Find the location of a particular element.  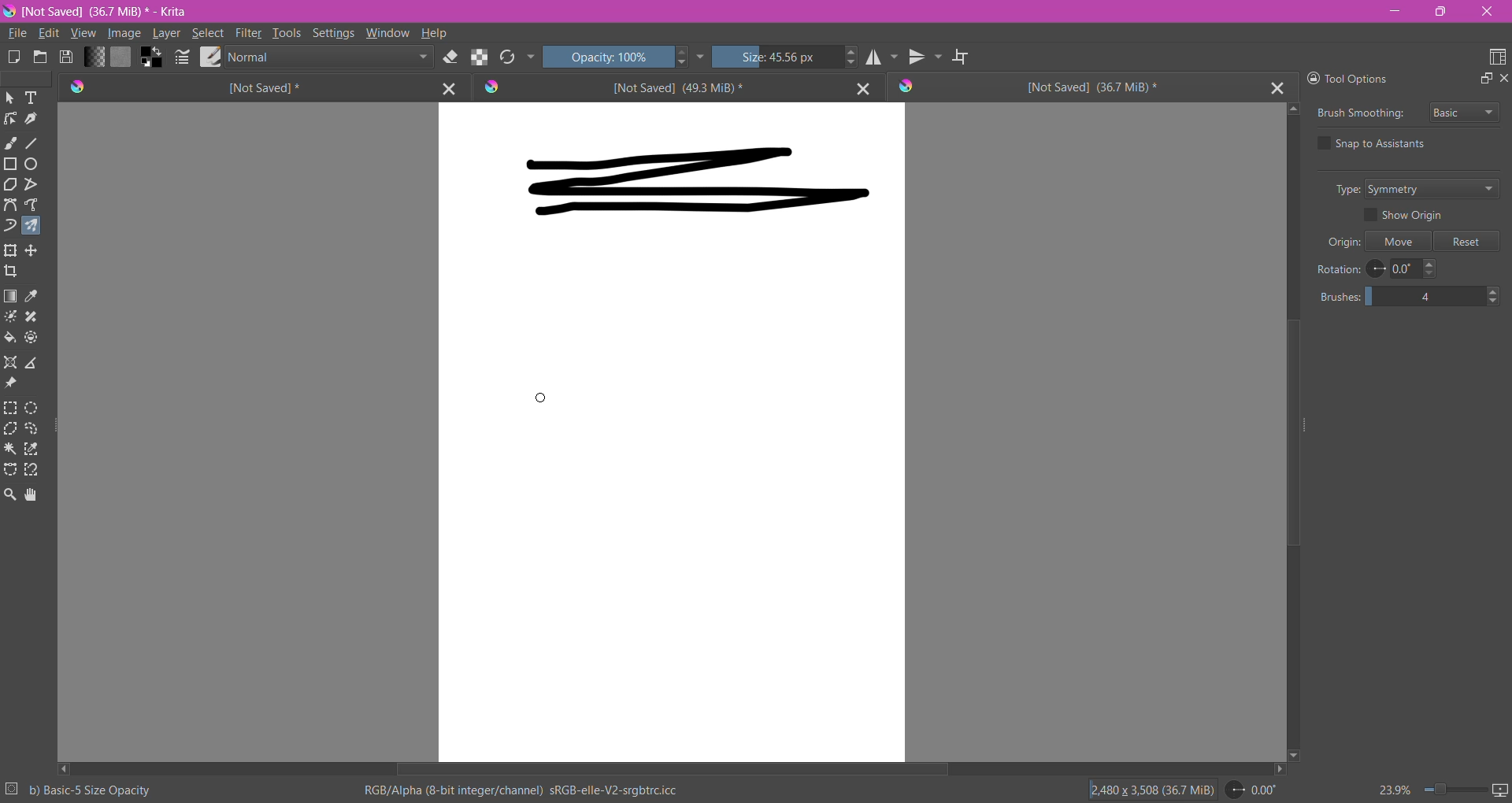

Elliptical Selection Tool is located at coordinates (33, 408).